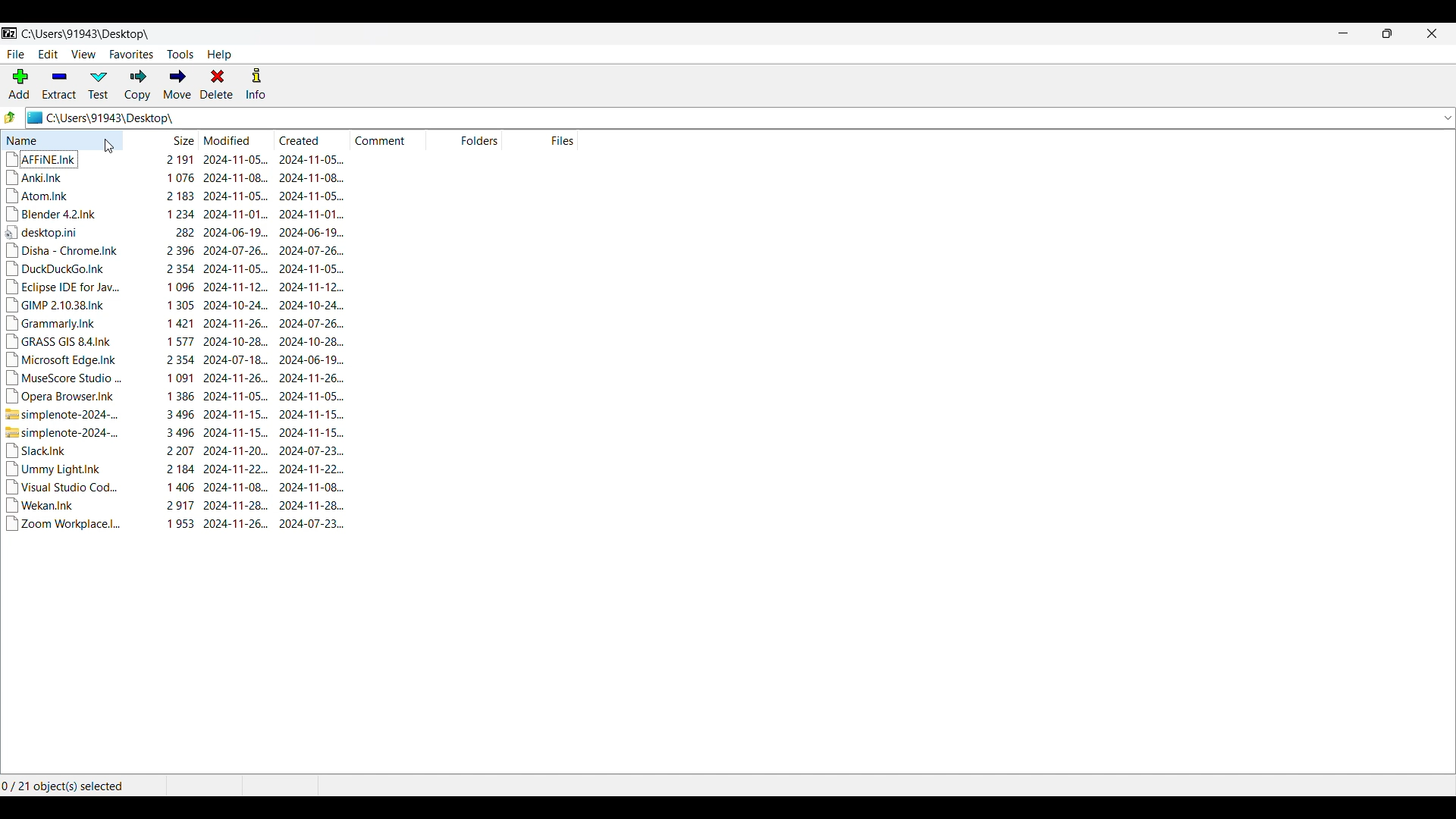  I want to click on Atom.Ink 2183 2024-11-05. 2024-11-05..., so click(176, 196).